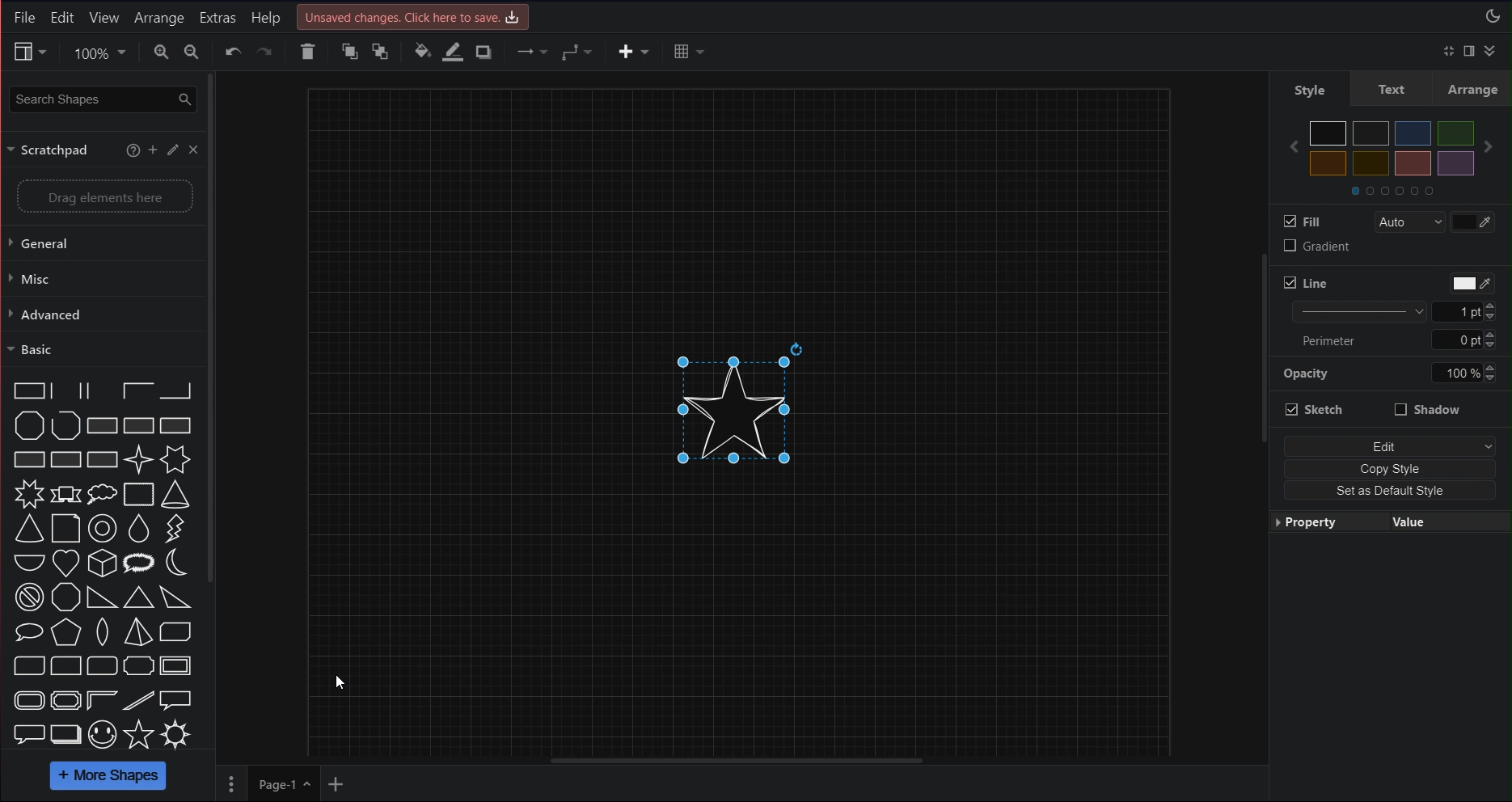  I want to click on Scratchpad, so click(50, 150).